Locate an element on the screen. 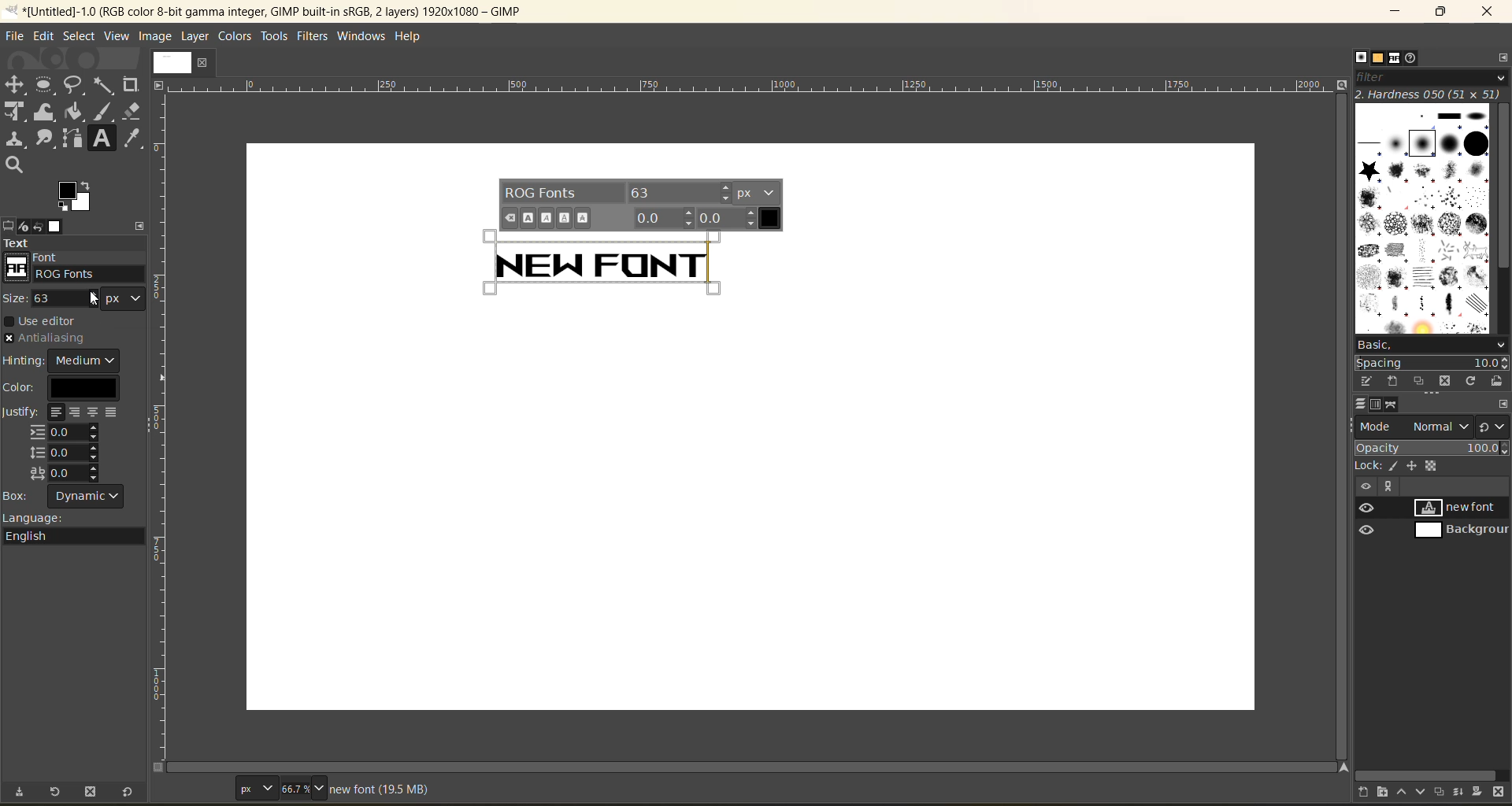  tools is located at coordinates (275, 39).